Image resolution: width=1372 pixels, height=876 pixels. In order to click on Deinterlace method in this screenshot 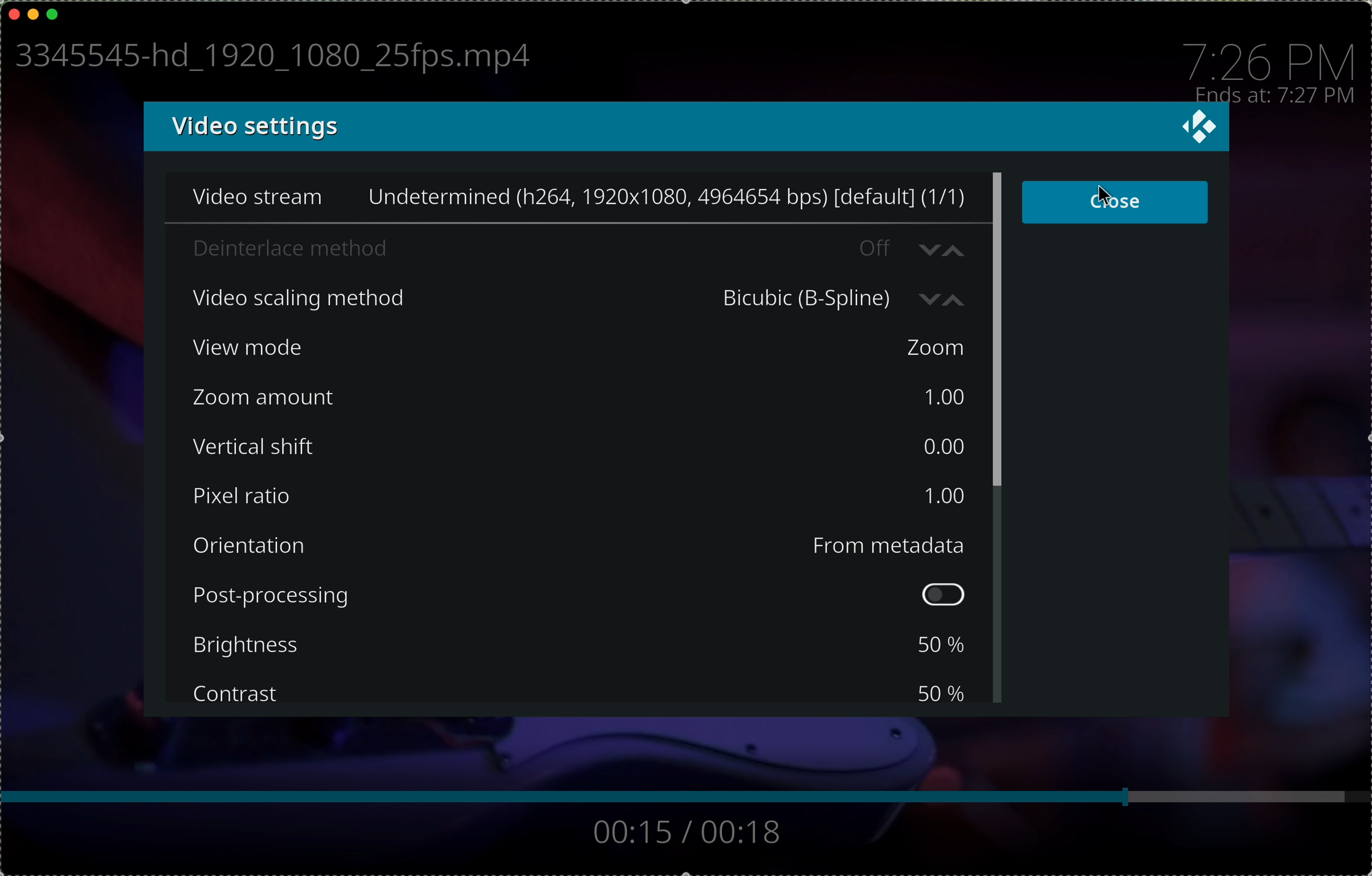, I will do `click(322, 251)`.